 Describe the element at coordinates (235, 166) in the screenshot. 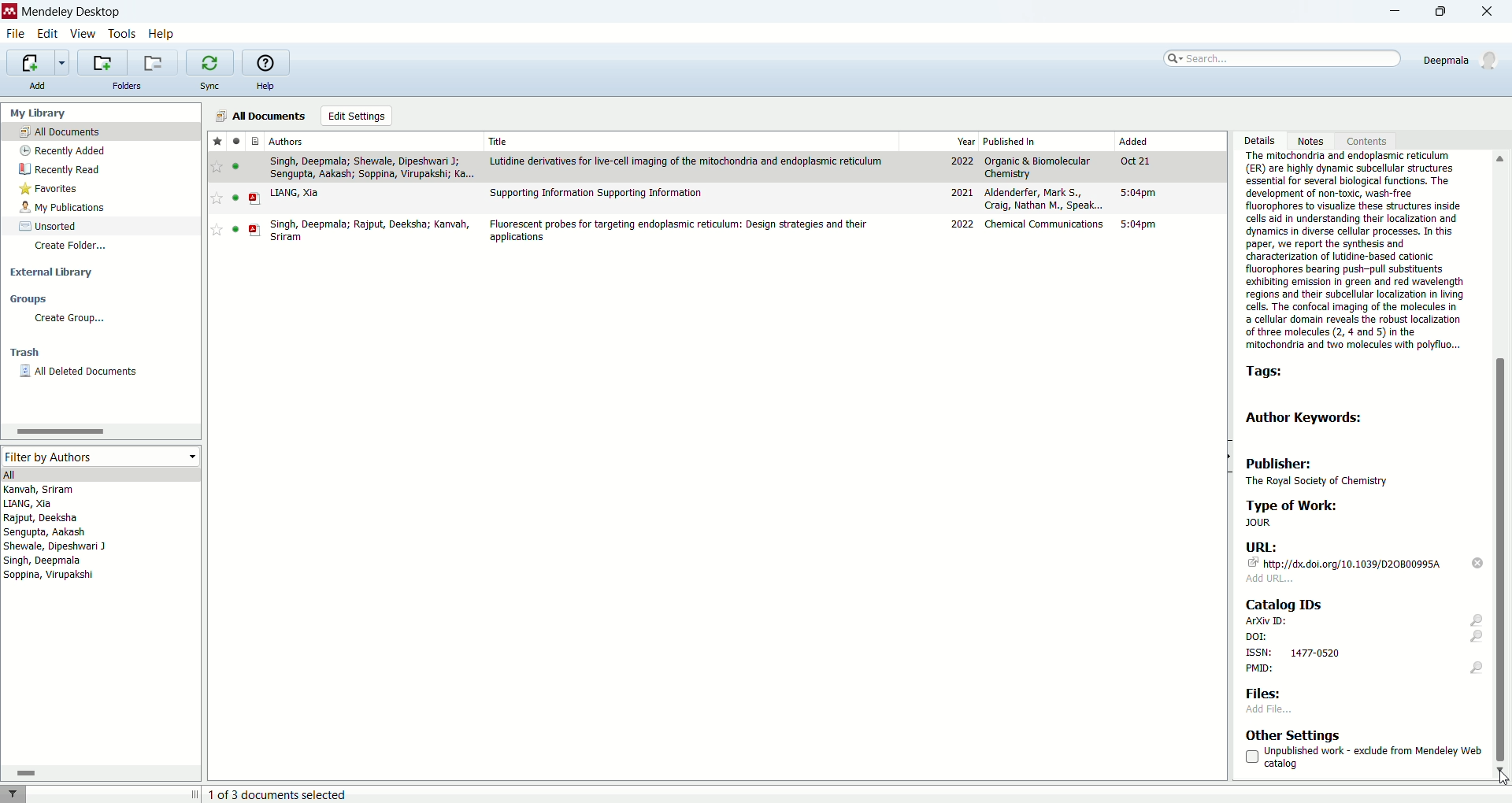

I see `unread` at that location.